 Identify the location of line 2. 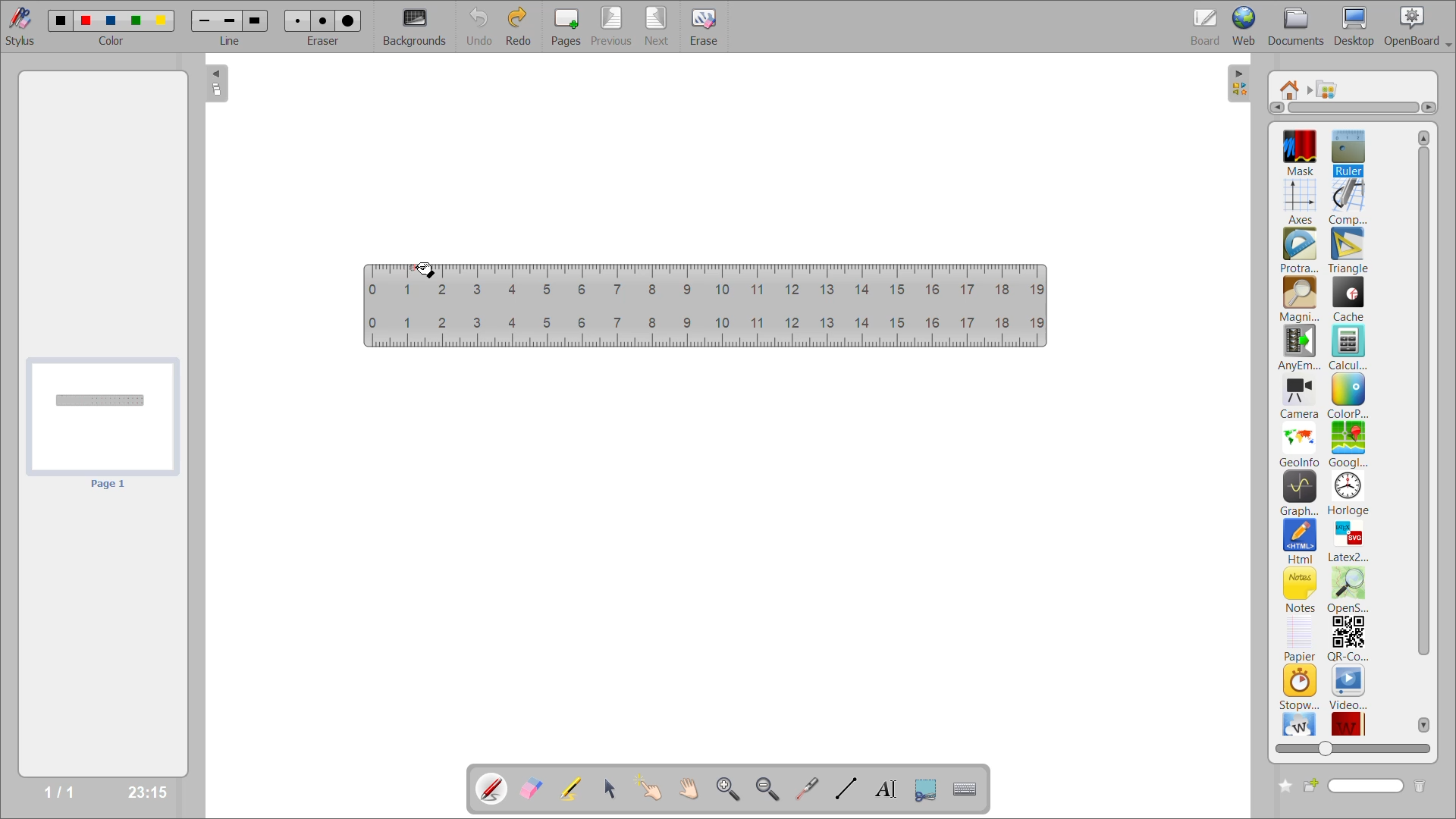
(228, 20).